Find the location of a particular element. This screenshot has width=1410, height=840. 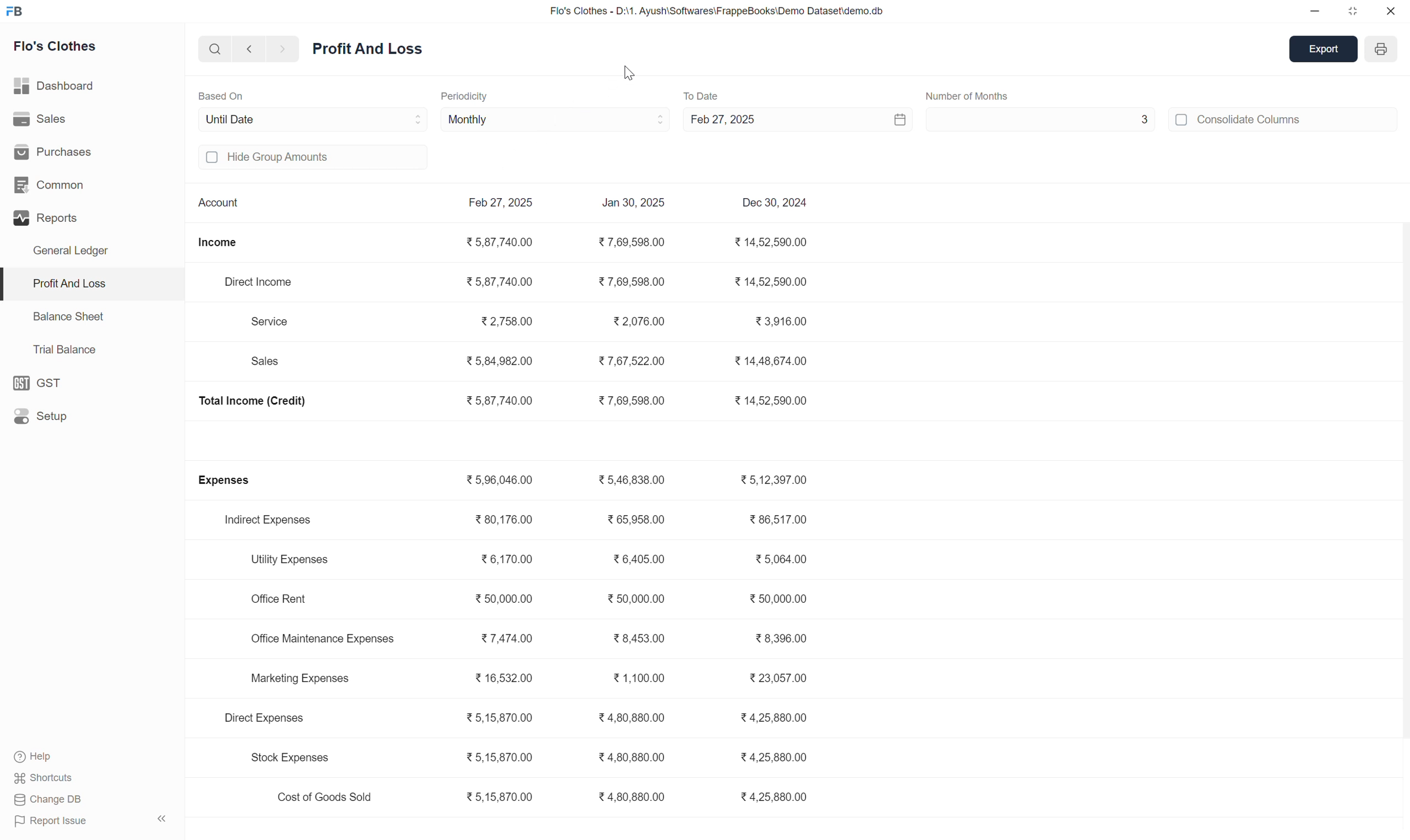

₹5,87,740.00 is located at coordinates (498, 242).